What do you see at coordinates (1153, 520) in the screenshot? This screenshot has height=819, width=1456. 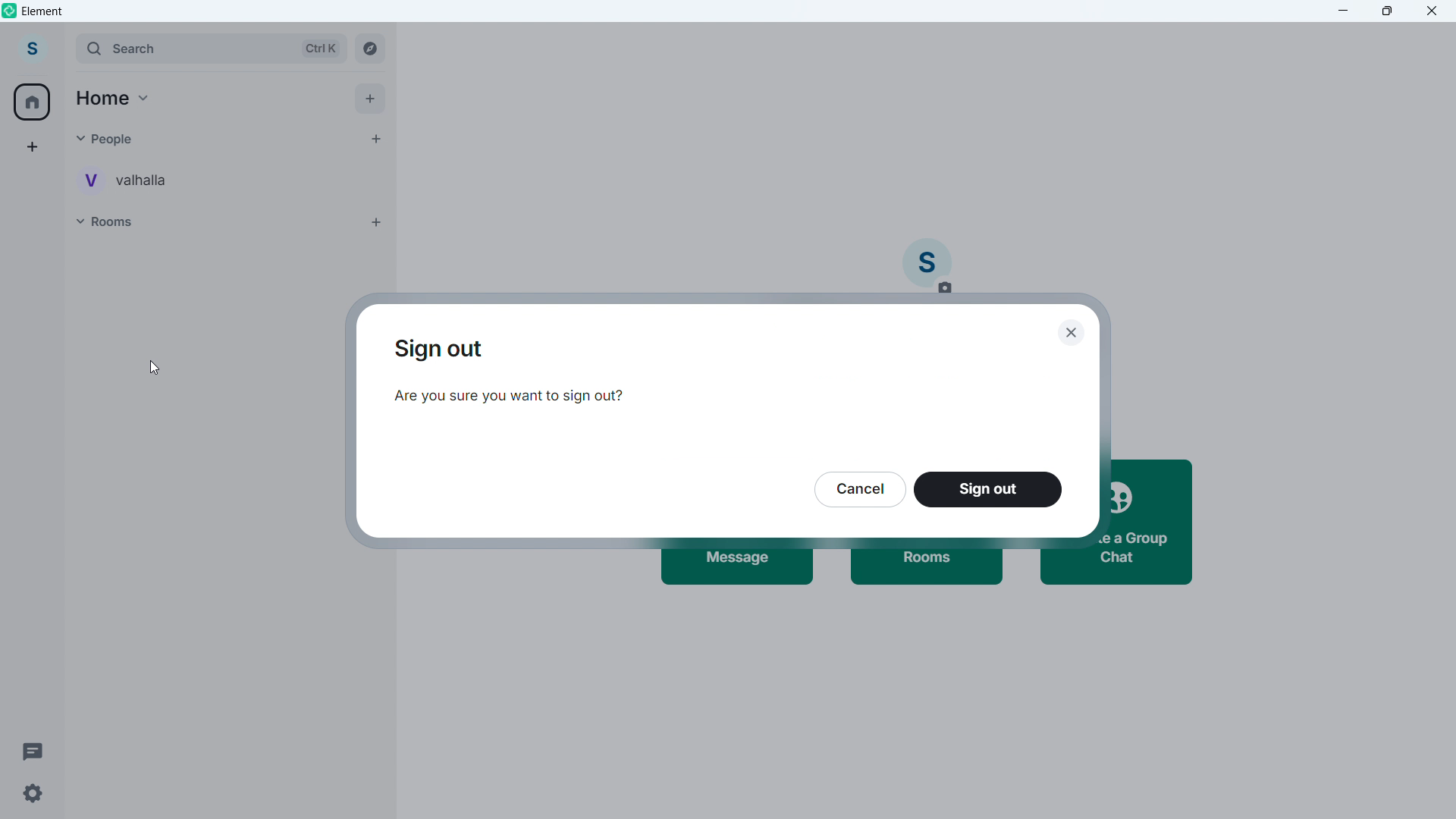 I see `Create a group chat ` at bounding box center [1153, 520].